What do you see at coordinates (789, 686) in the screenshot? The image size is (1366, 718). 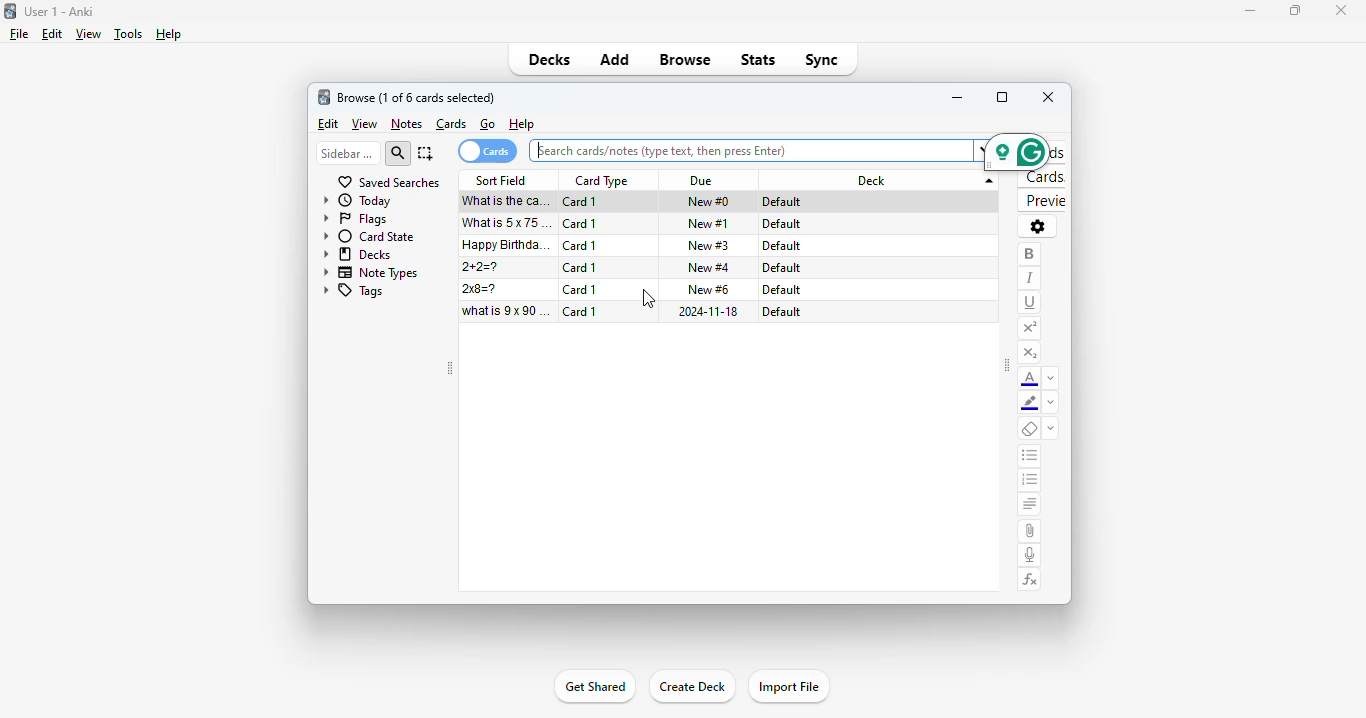 I see `import file` at bounding box center [789, 686].